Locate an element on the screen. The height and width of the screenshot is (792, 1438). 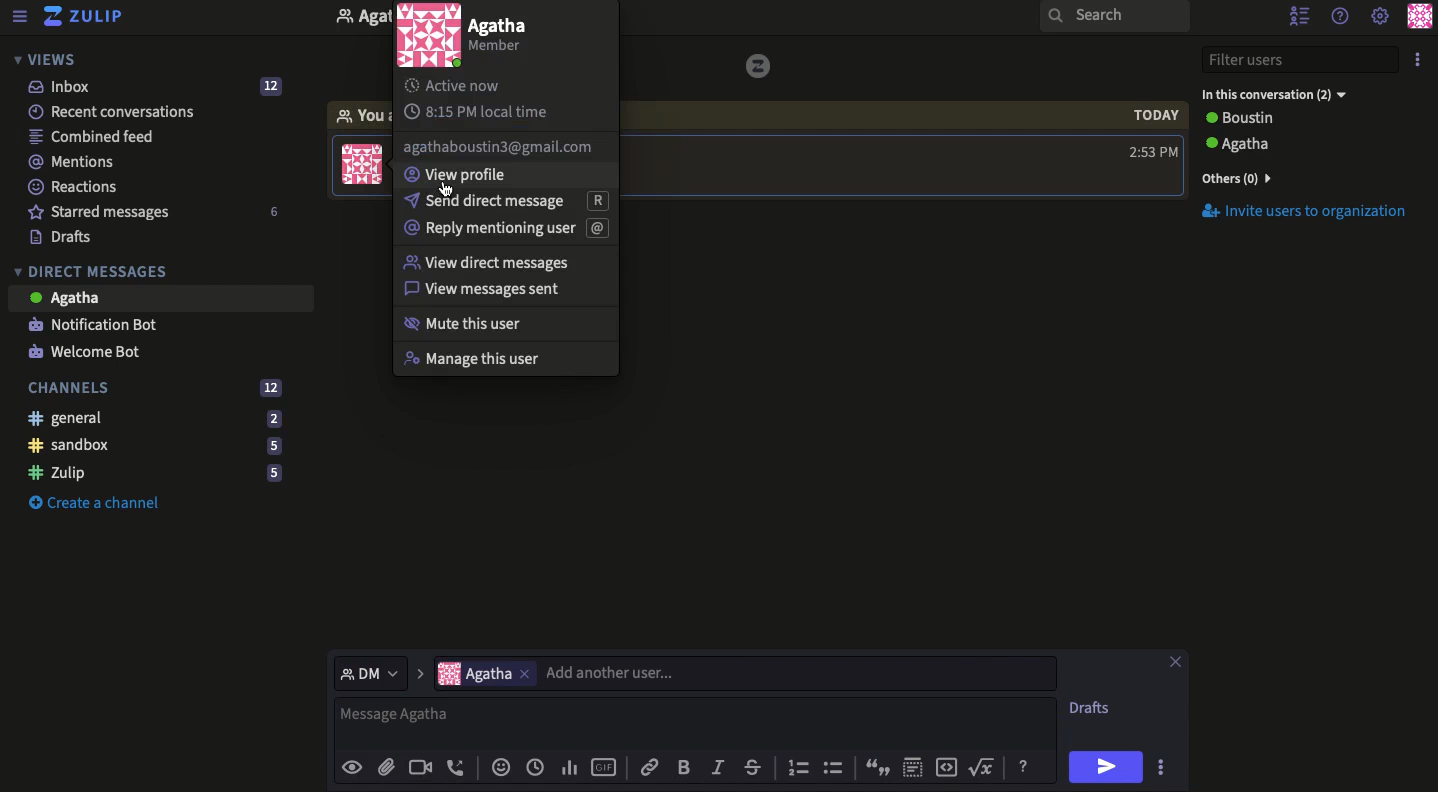
Menu is located at coordinates (20, 18).